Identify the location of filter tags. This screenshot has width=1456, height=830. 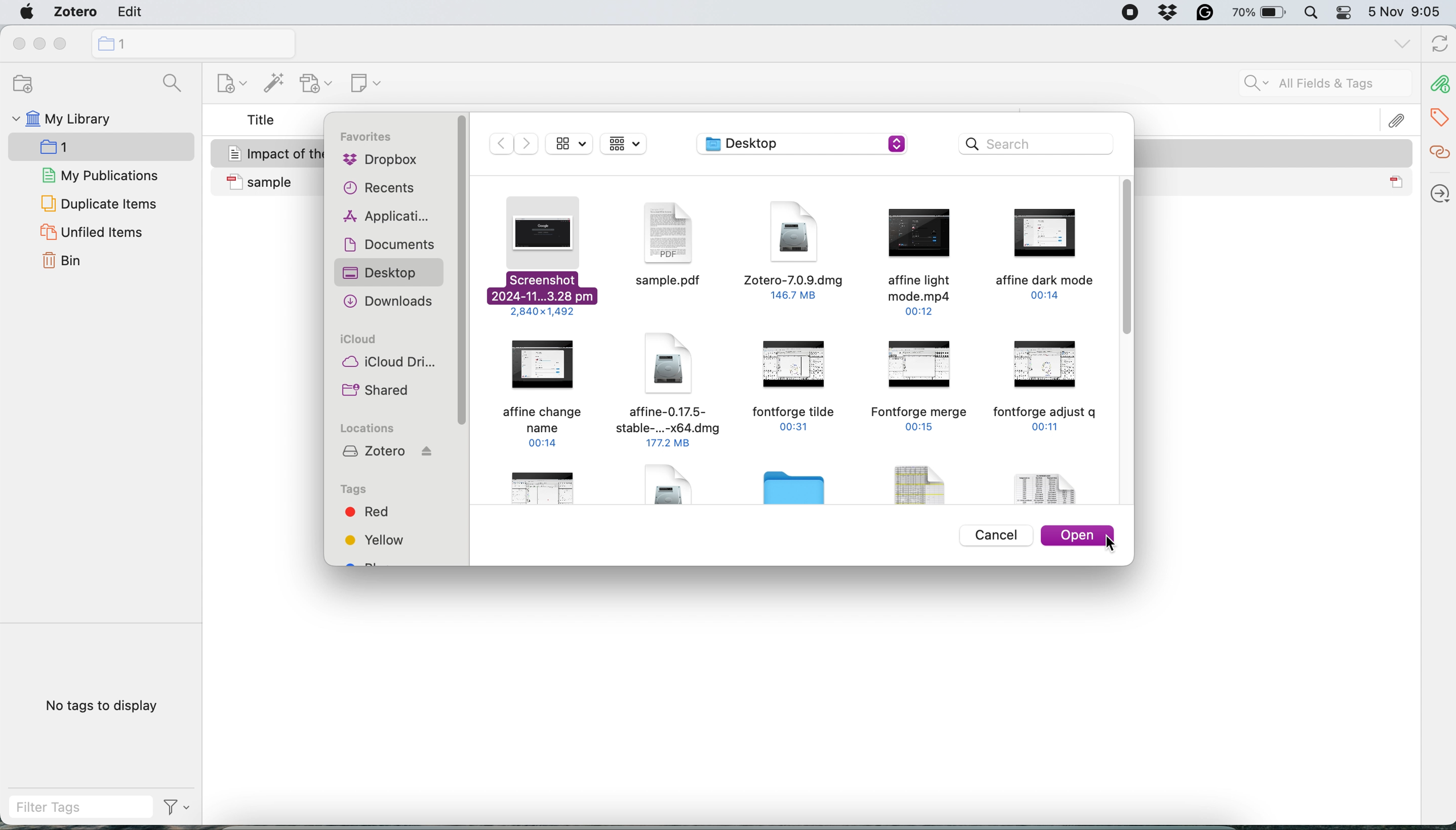
(100, 807).